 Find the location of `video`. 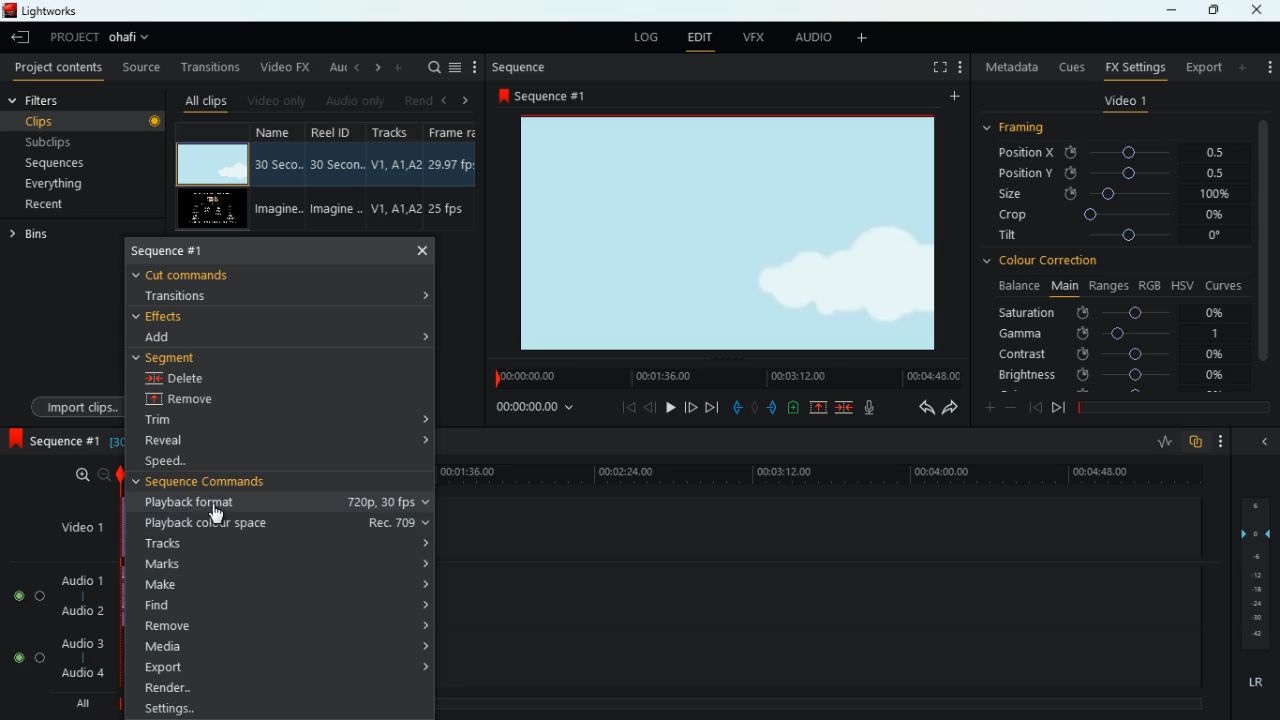

video is located at coordinates (213, 163).